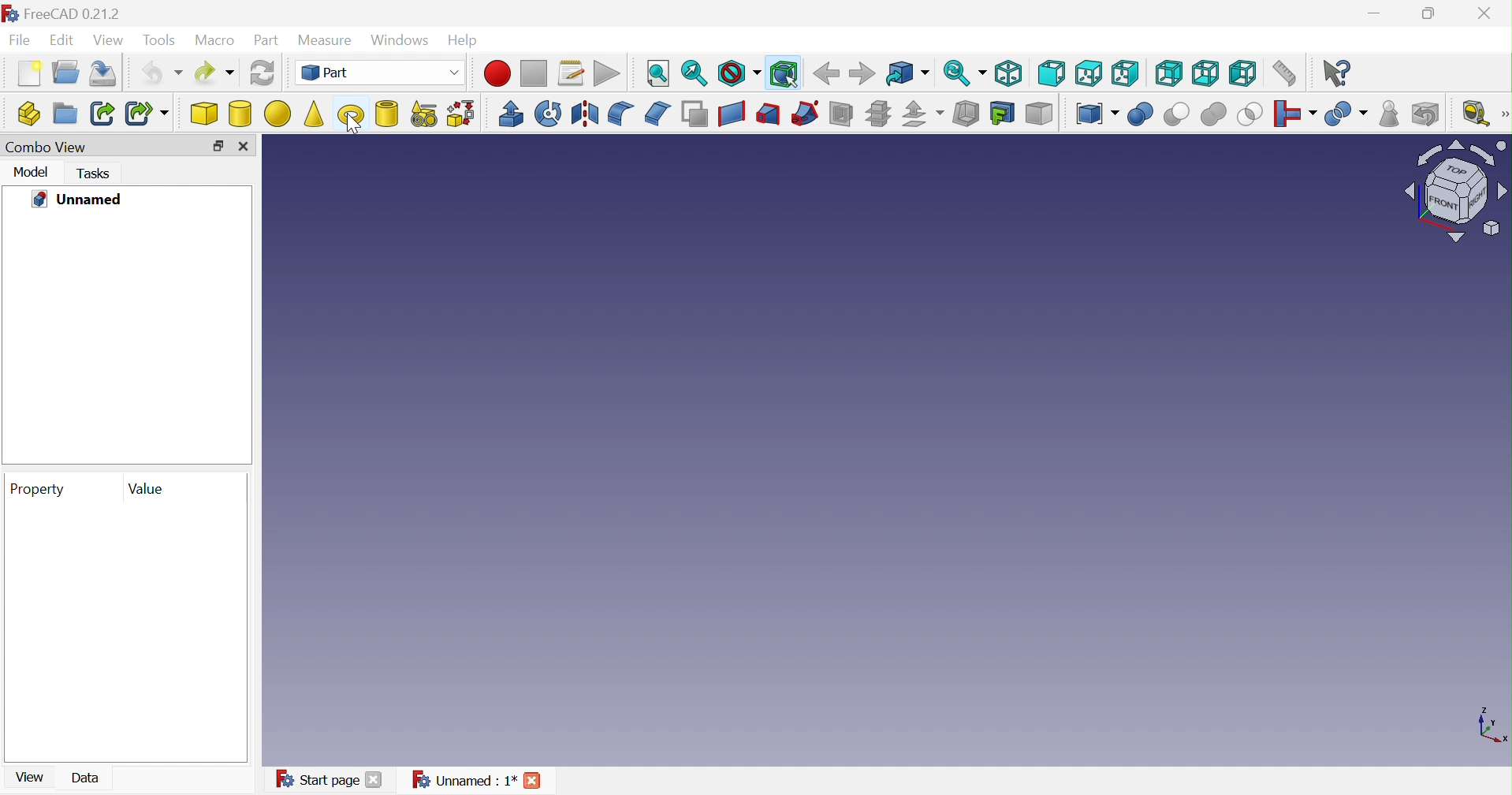 This screenshot has height=795, width=1512. I want to click on Close, so click(244, 145).